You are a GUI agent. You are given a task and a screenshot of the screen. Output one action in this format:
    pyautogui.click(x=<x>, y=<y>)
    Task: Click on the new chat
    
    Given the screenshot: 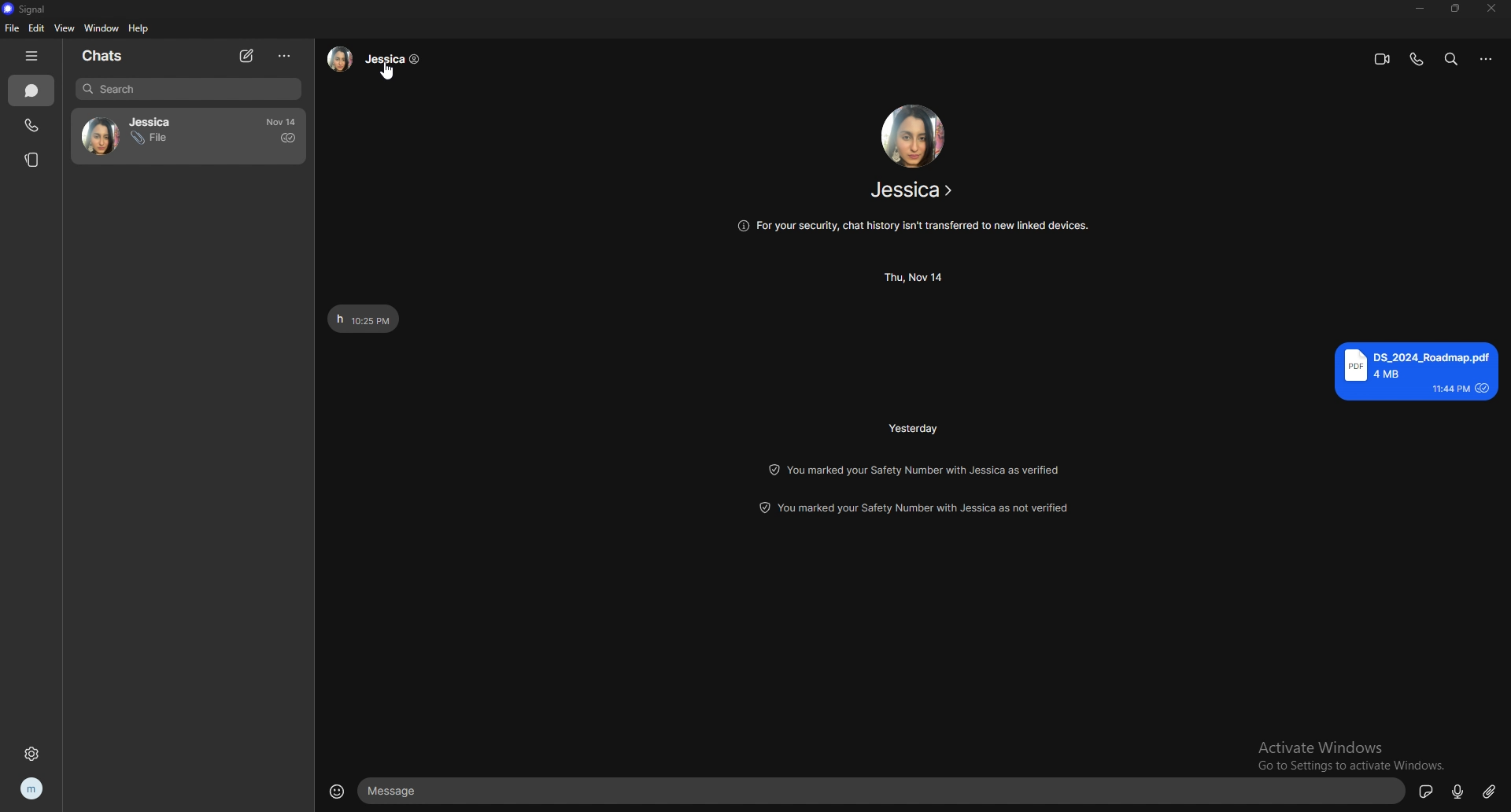 What is the action you would take?
    pyautogui.click(x=245, y=55)
    